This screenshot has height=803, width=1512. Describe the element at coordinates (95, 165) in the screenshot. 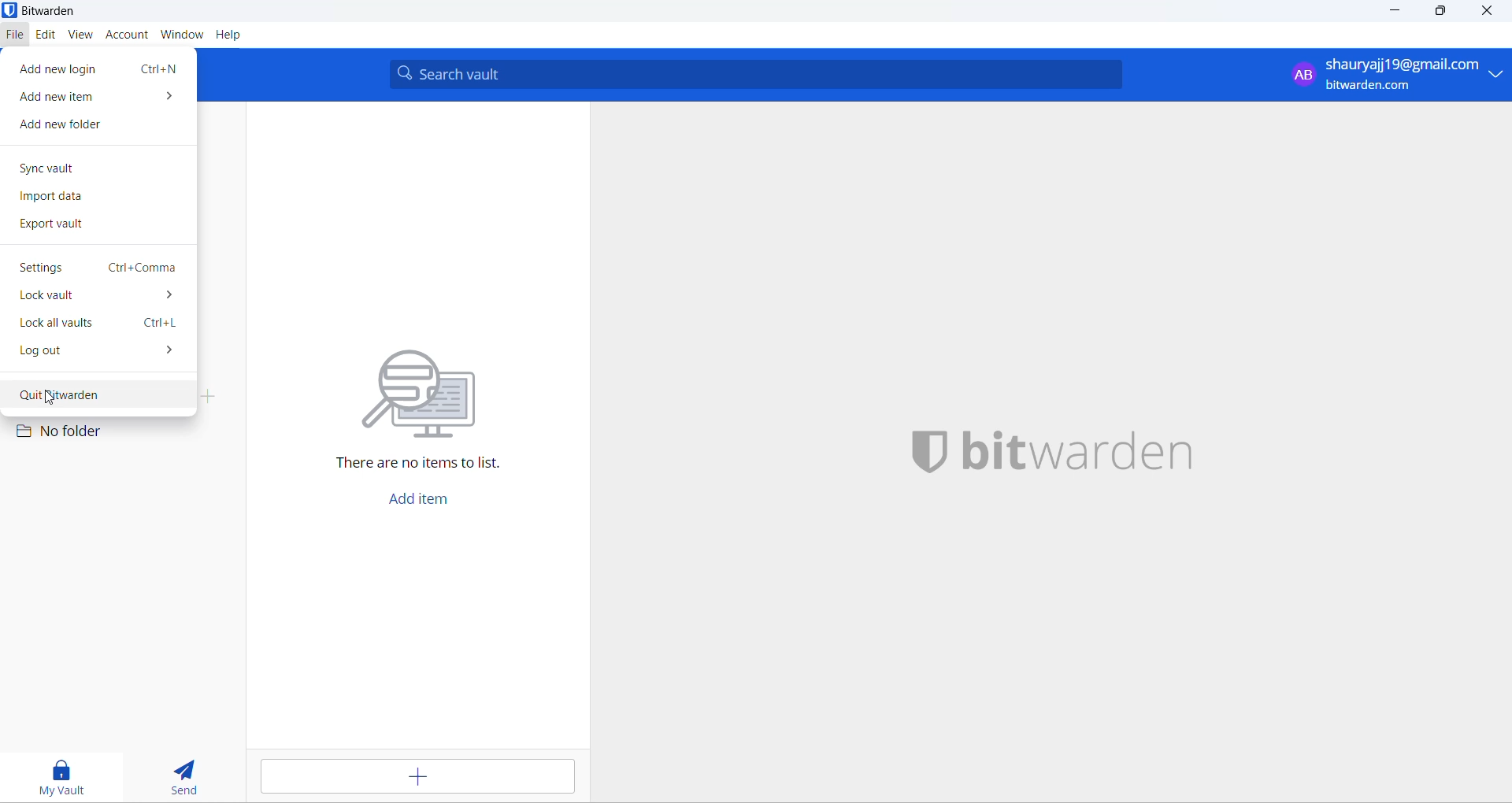

I see `sync vault` at that location.